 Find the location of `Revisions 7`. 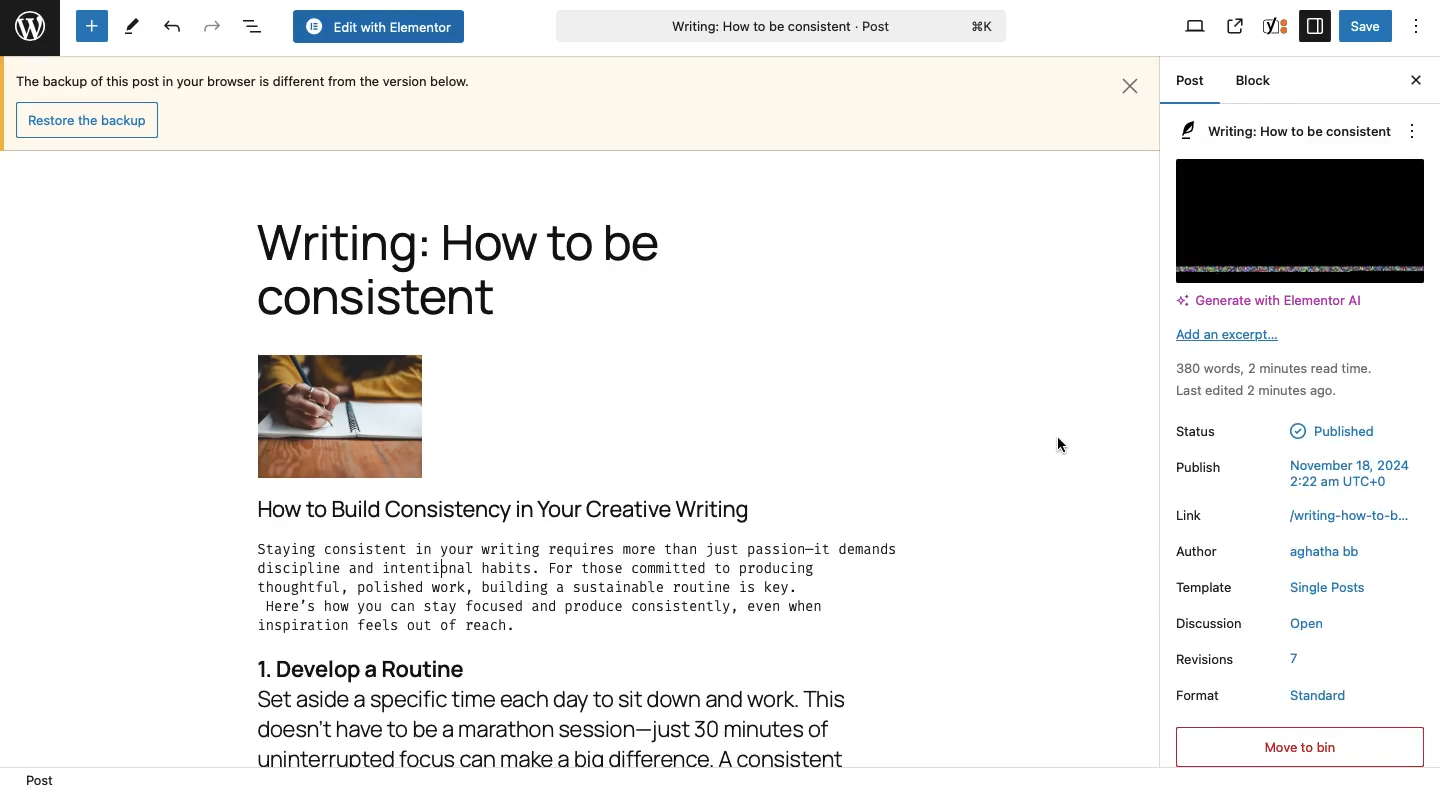

Revisions 7 is located at coordinates (1246, 659).